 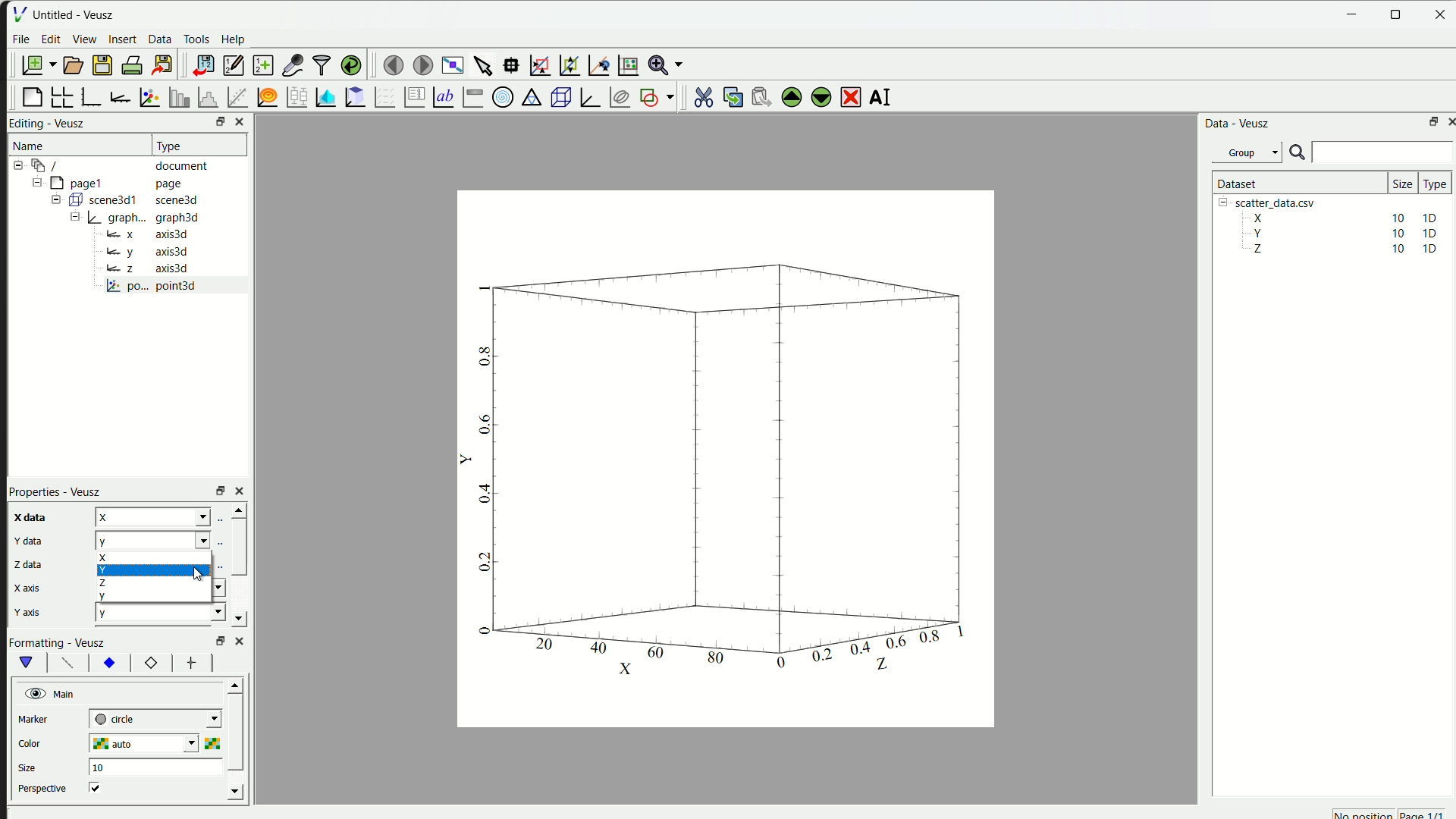 I want to click on search bar, so click(x=1385, y=152).